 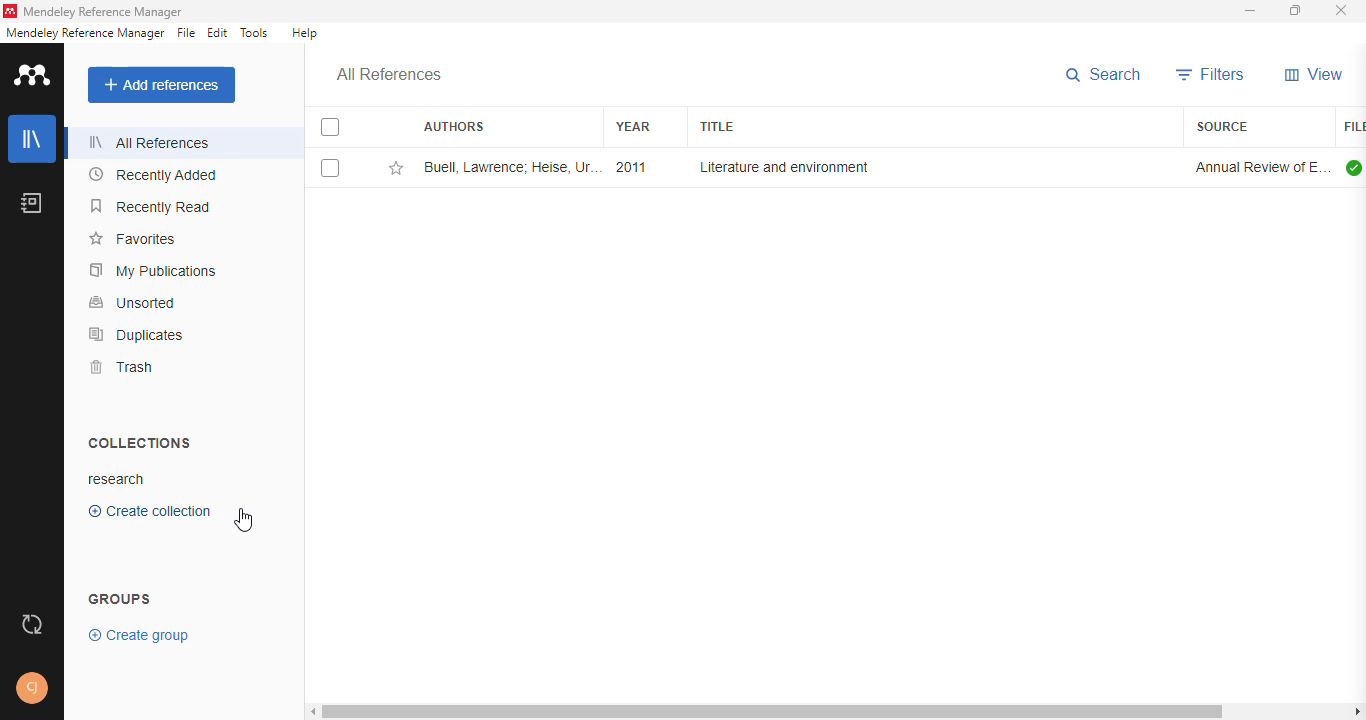 I want to click on all references, so click(x=150, y=142).